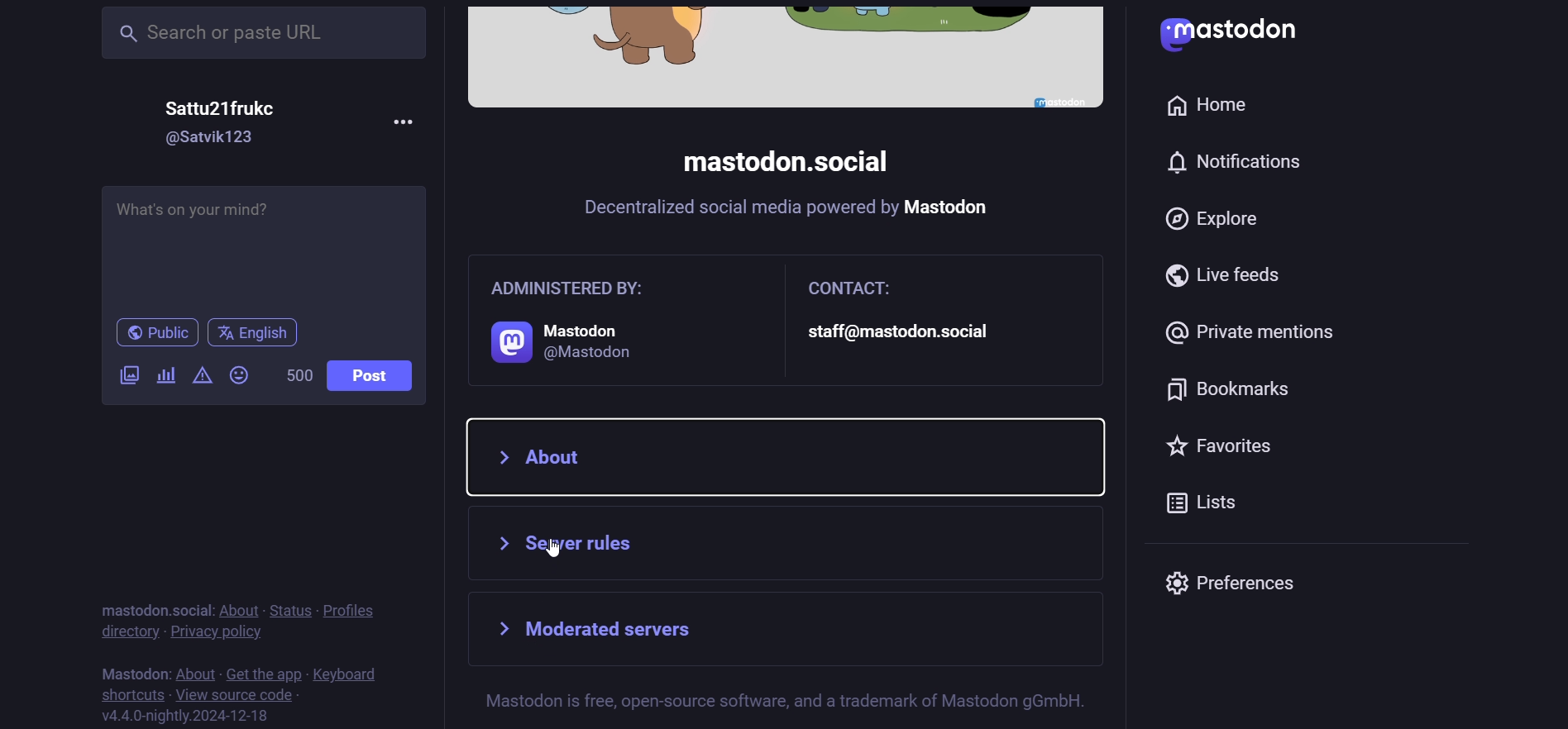  Describe the element at coordinates (377, 375) in the screenshot. I see `post` at that location.